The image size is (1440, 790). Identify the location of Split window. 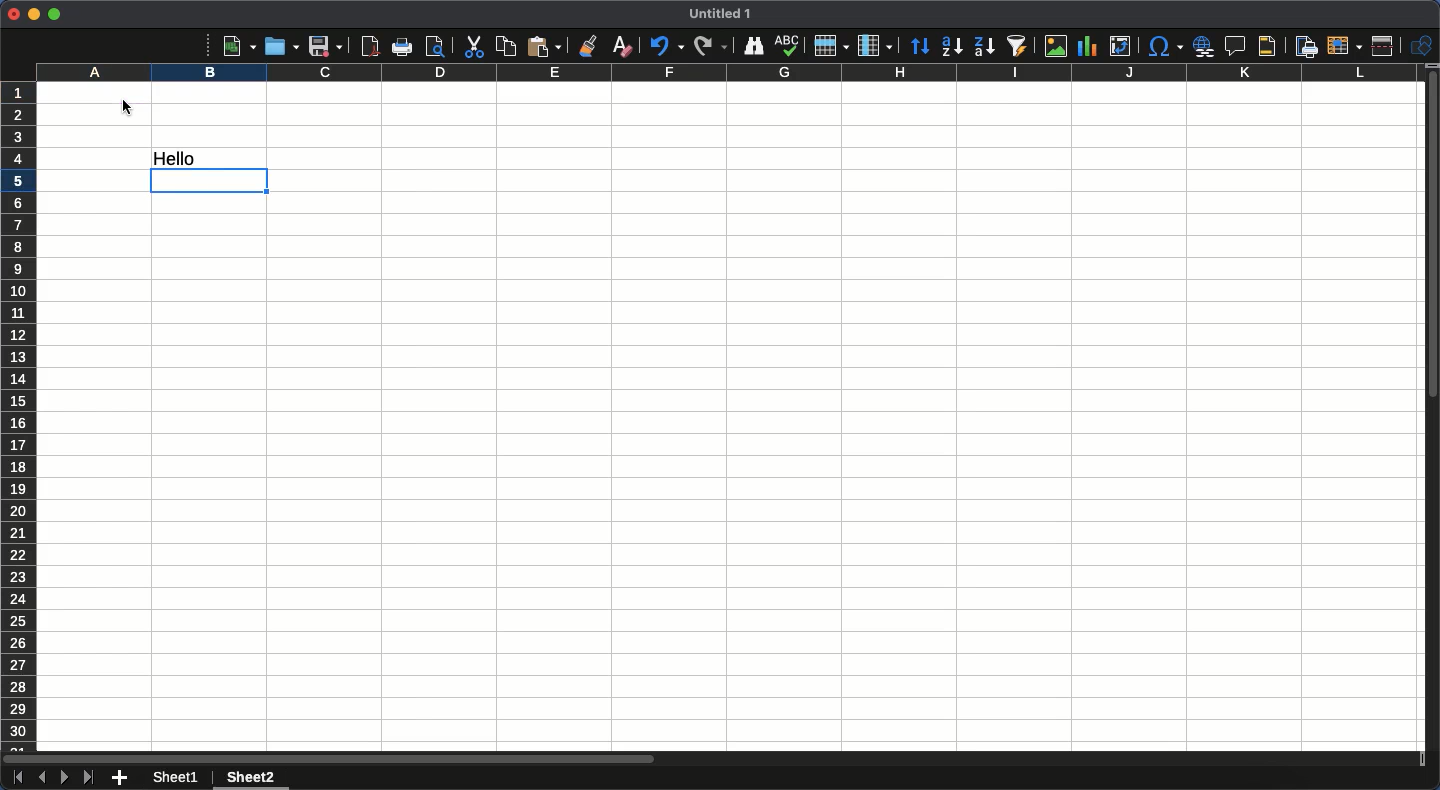
(1387, 46).